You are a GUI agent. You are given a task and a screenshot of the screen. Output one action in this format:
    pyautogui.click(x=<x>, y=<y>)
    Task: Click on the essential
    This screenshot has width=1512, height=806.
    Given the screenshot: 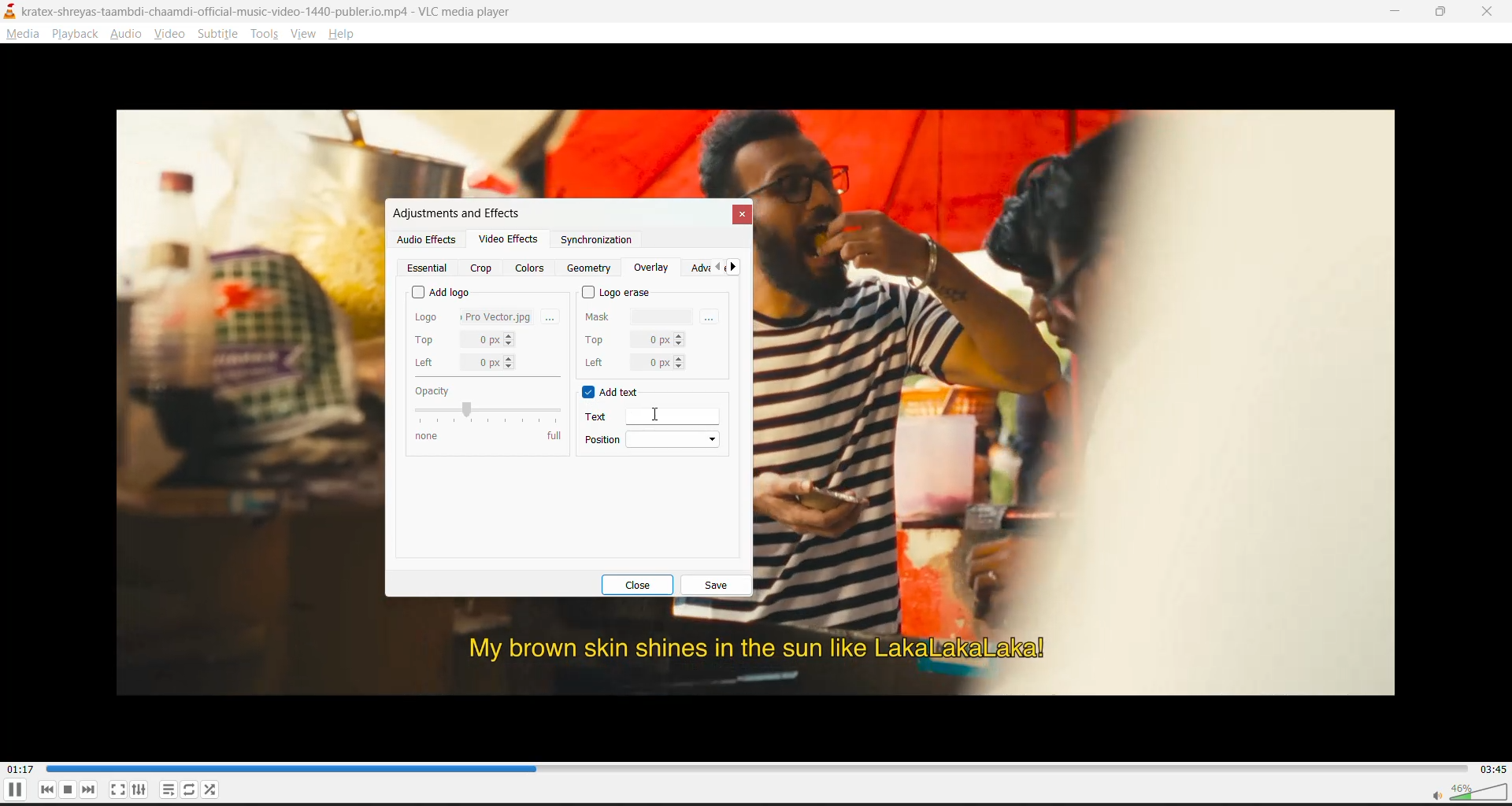 What is the action you would take?
    pyautogui.click(x=430, y=268)
    